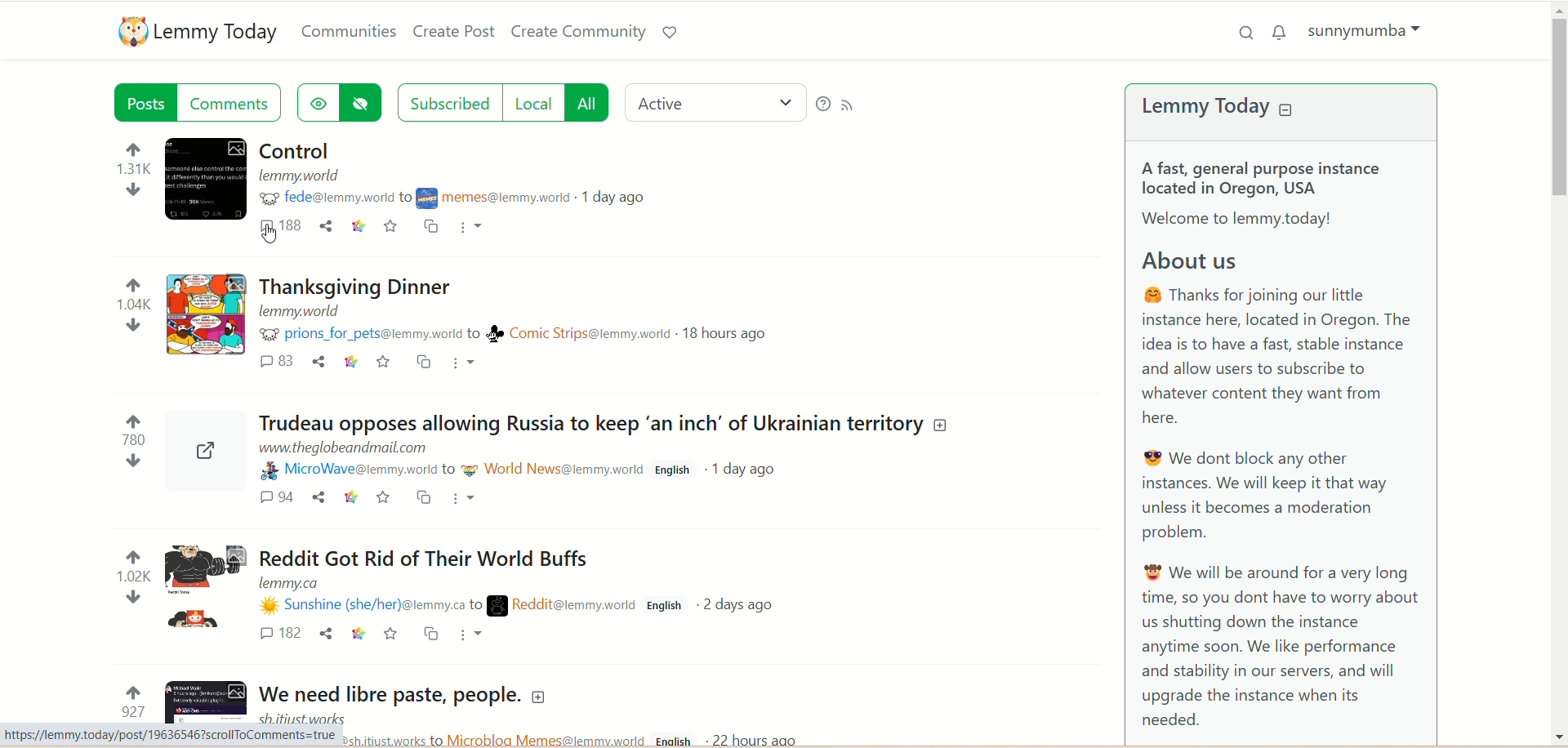  I want to click on pointer, so click(266, 243).